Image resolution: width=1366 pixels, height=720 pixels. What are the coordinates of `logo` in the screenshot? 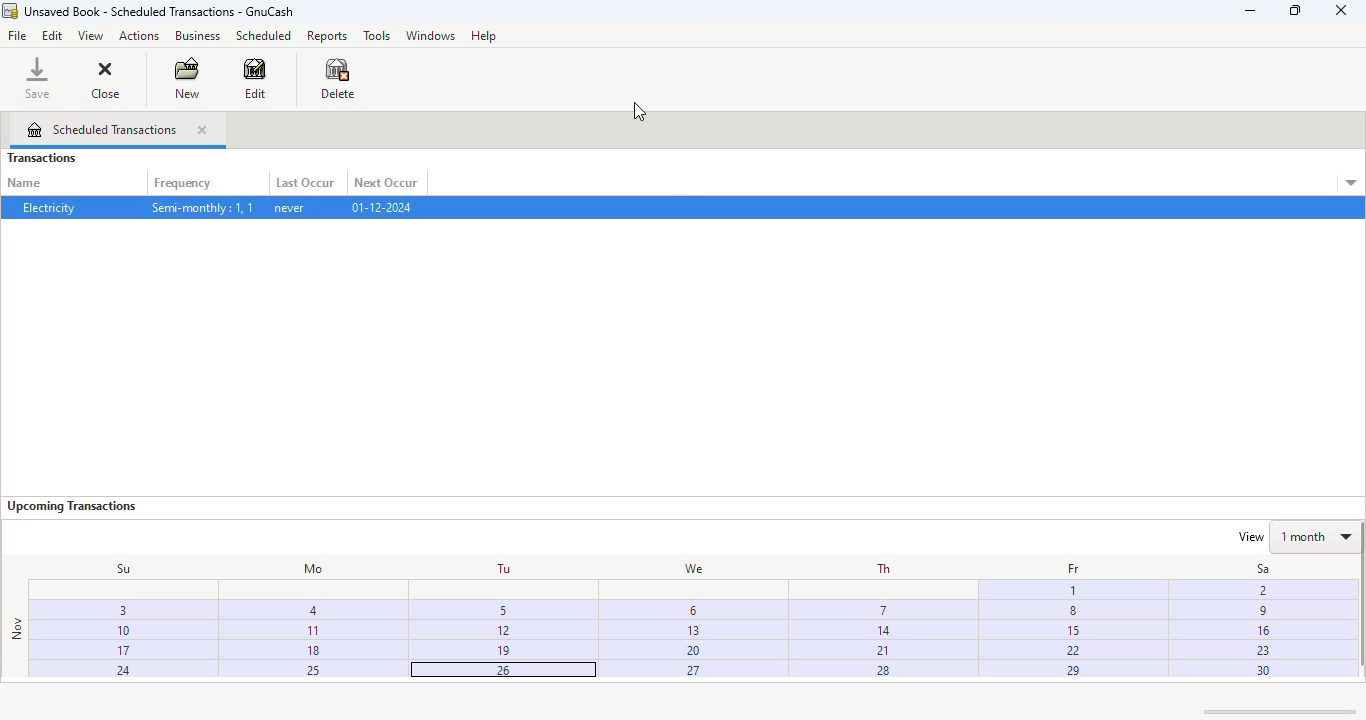 It's located at (10, 10).